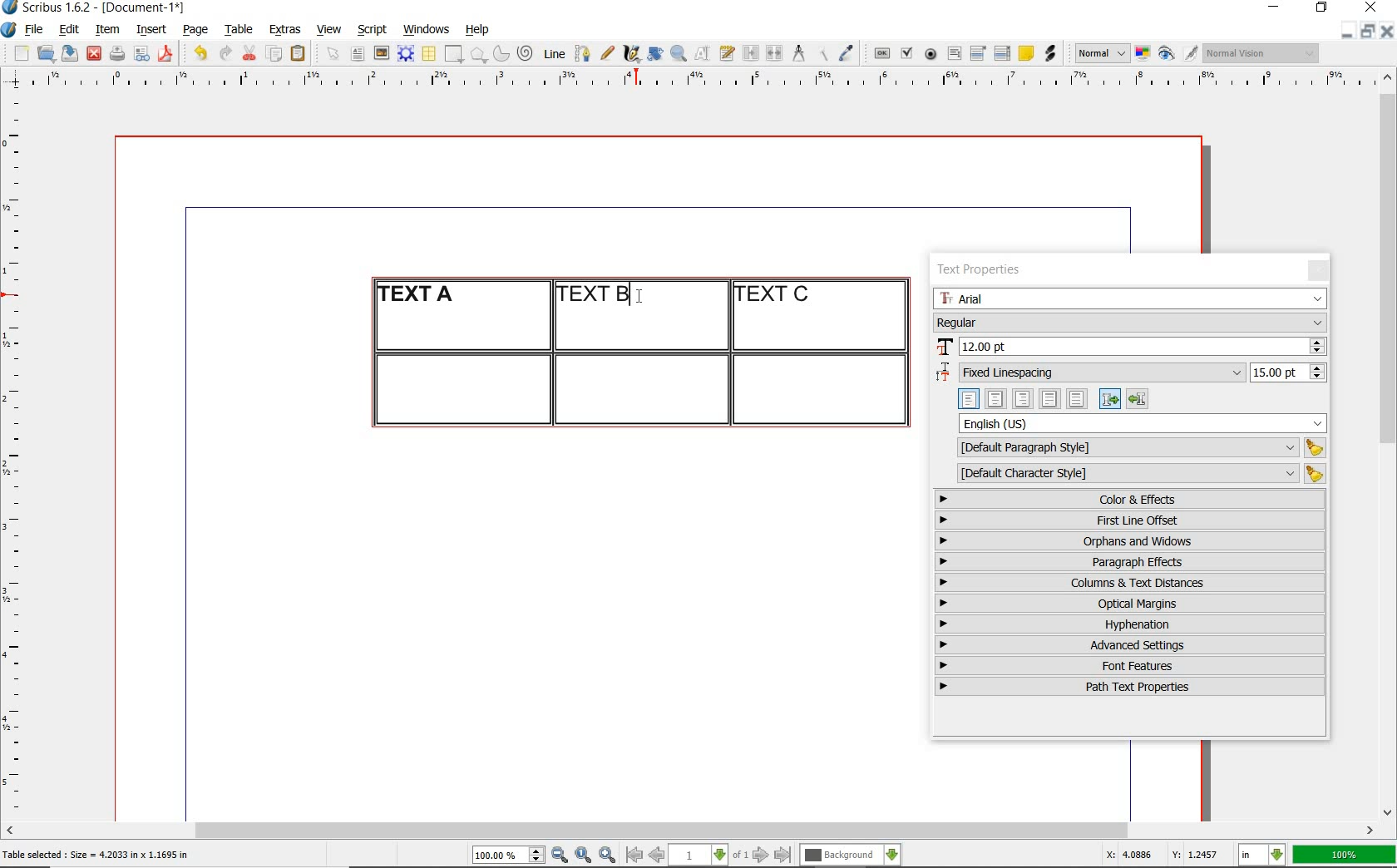  Describe the element at coordinates (560, 856) in the screenshot. I see `zoom out` at that location.